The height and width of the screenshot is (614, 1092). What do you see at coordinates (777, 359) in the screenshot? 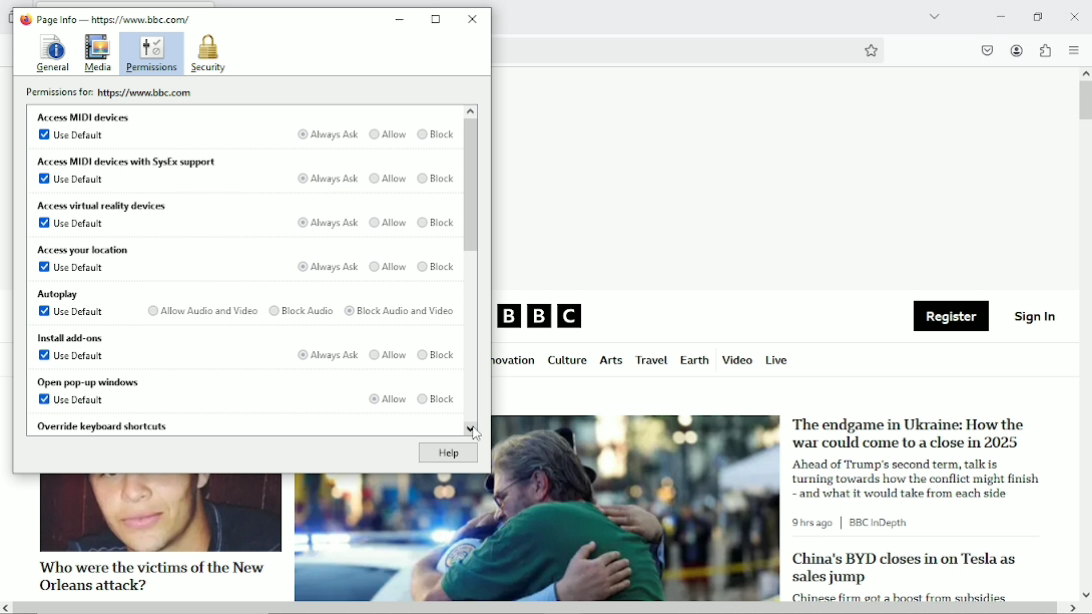
I see `Live` at bounding box center [777, 359].